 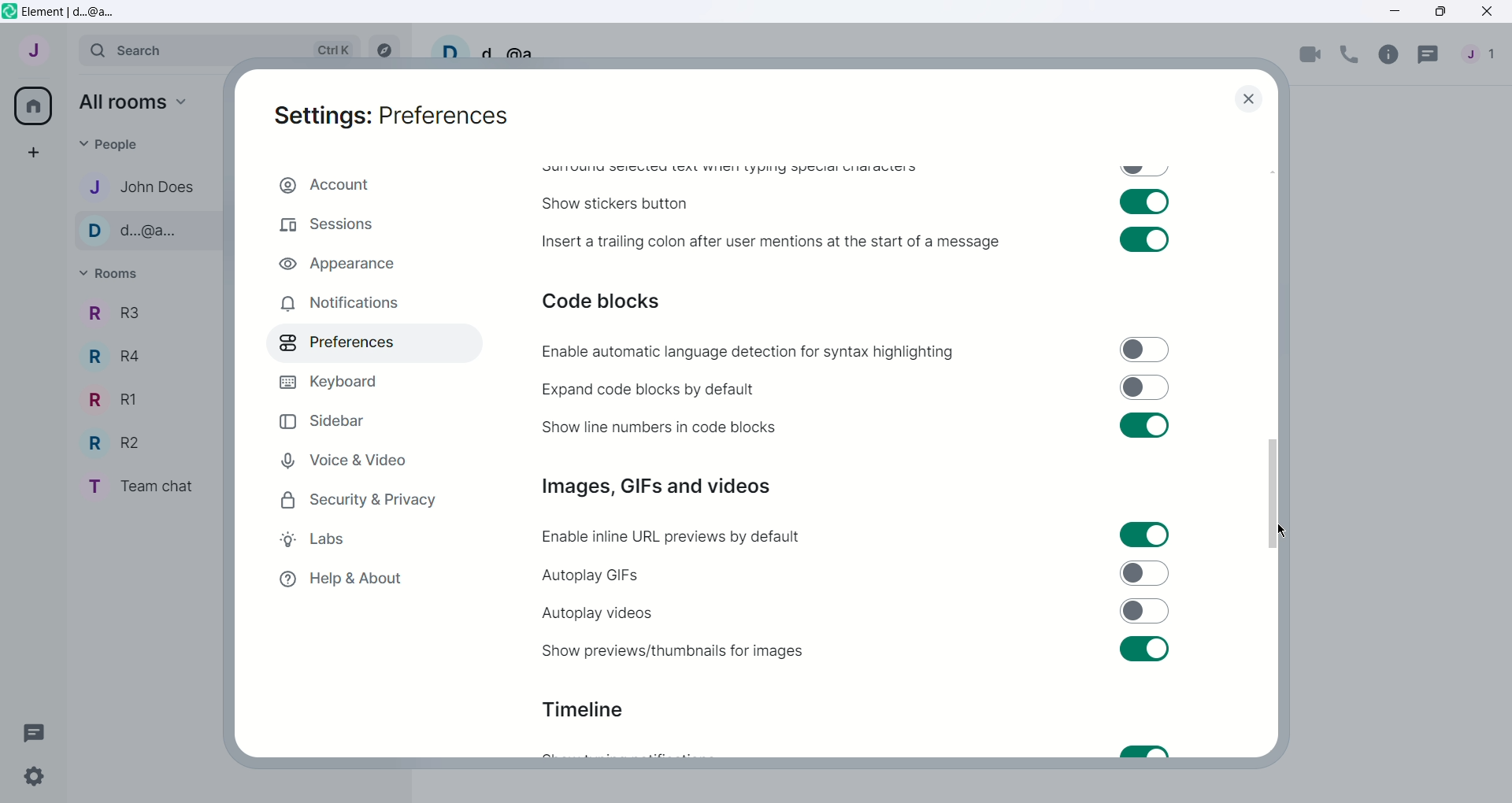 What do you see at coordinates (1144, 239) in the screenshot?
I see `Toggle switch on for insert a trailing colon after user mentions at the start of a message` at bounding box center [1144, 239].